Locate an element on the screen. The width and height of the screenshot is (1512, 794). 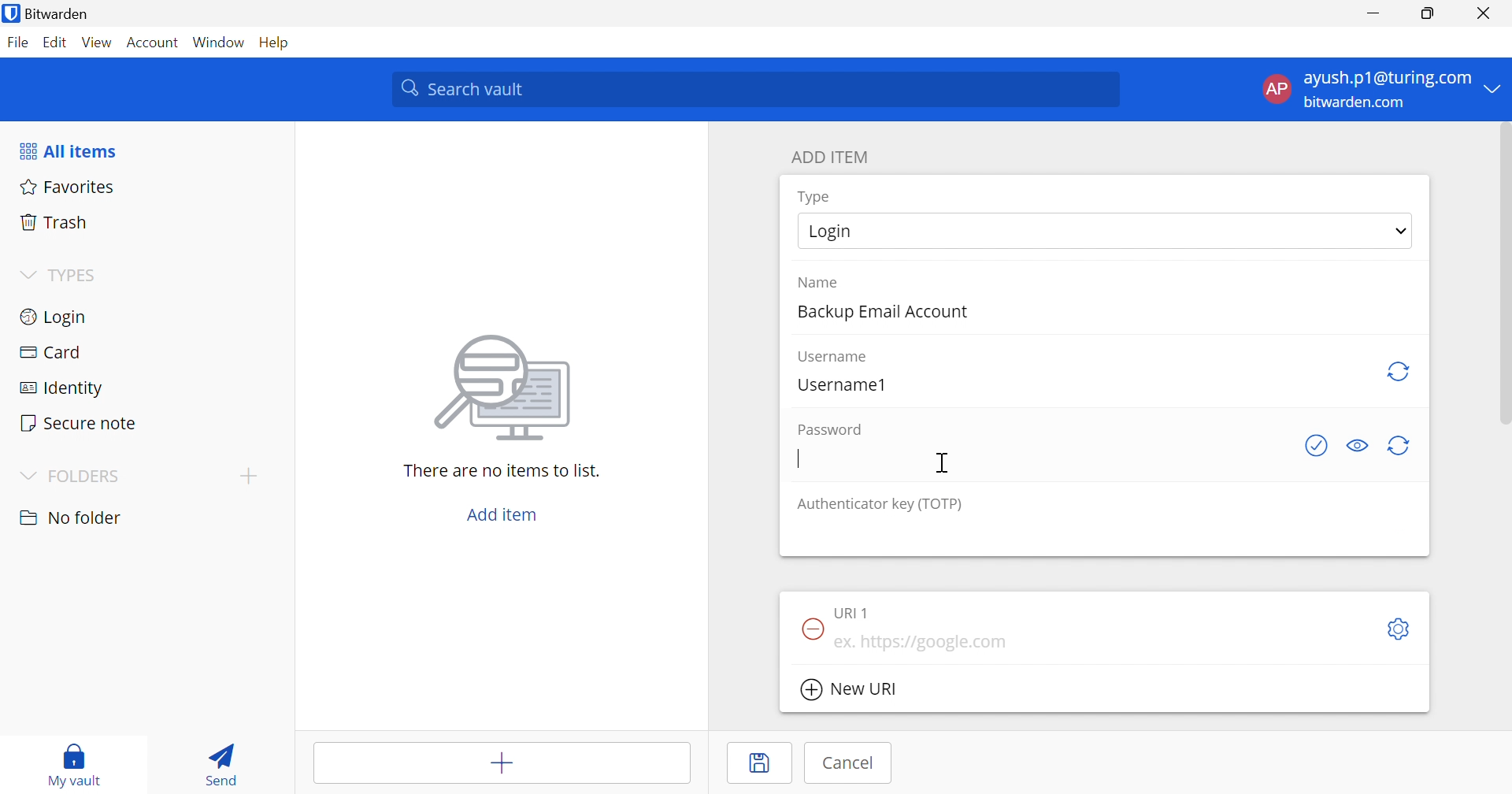
bitwarden logo is located at coordinates (11, 13).